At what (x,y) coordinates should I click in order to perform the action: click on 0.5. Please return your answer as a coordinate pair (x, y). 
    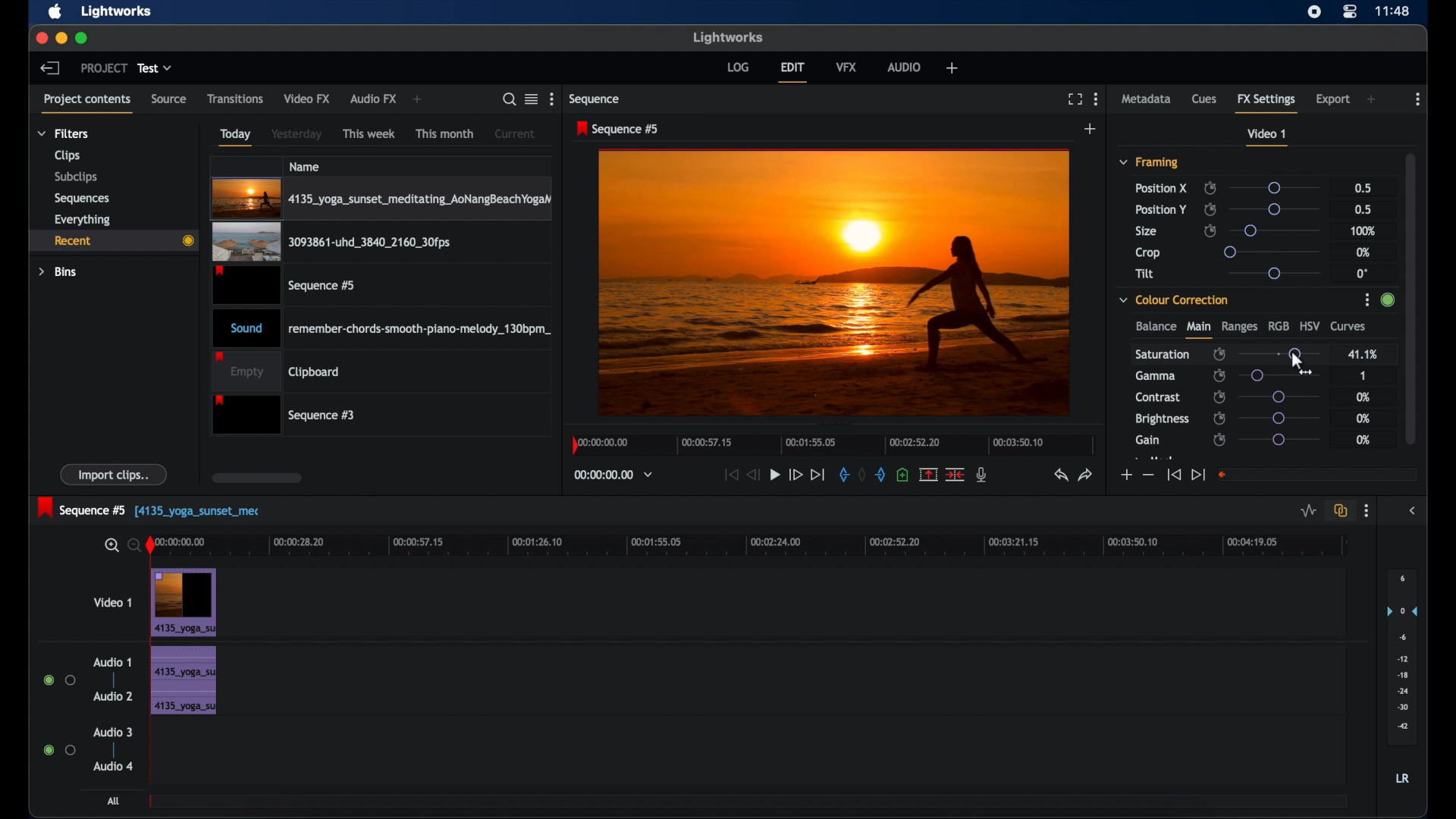
    Looking at the image, I should click on (1362, 209).